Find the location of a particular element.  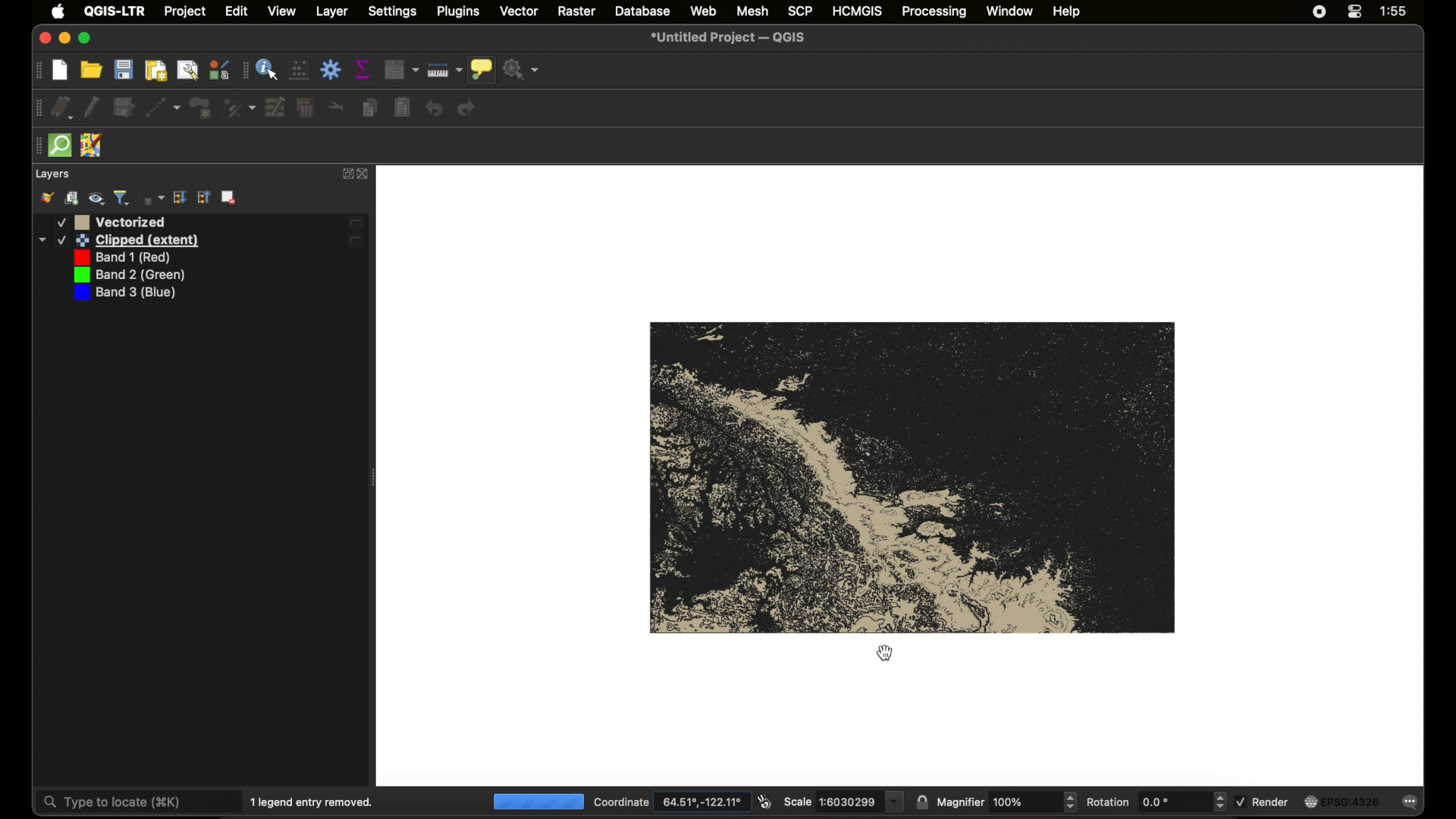

vector map is located at coordinates (915, 479).